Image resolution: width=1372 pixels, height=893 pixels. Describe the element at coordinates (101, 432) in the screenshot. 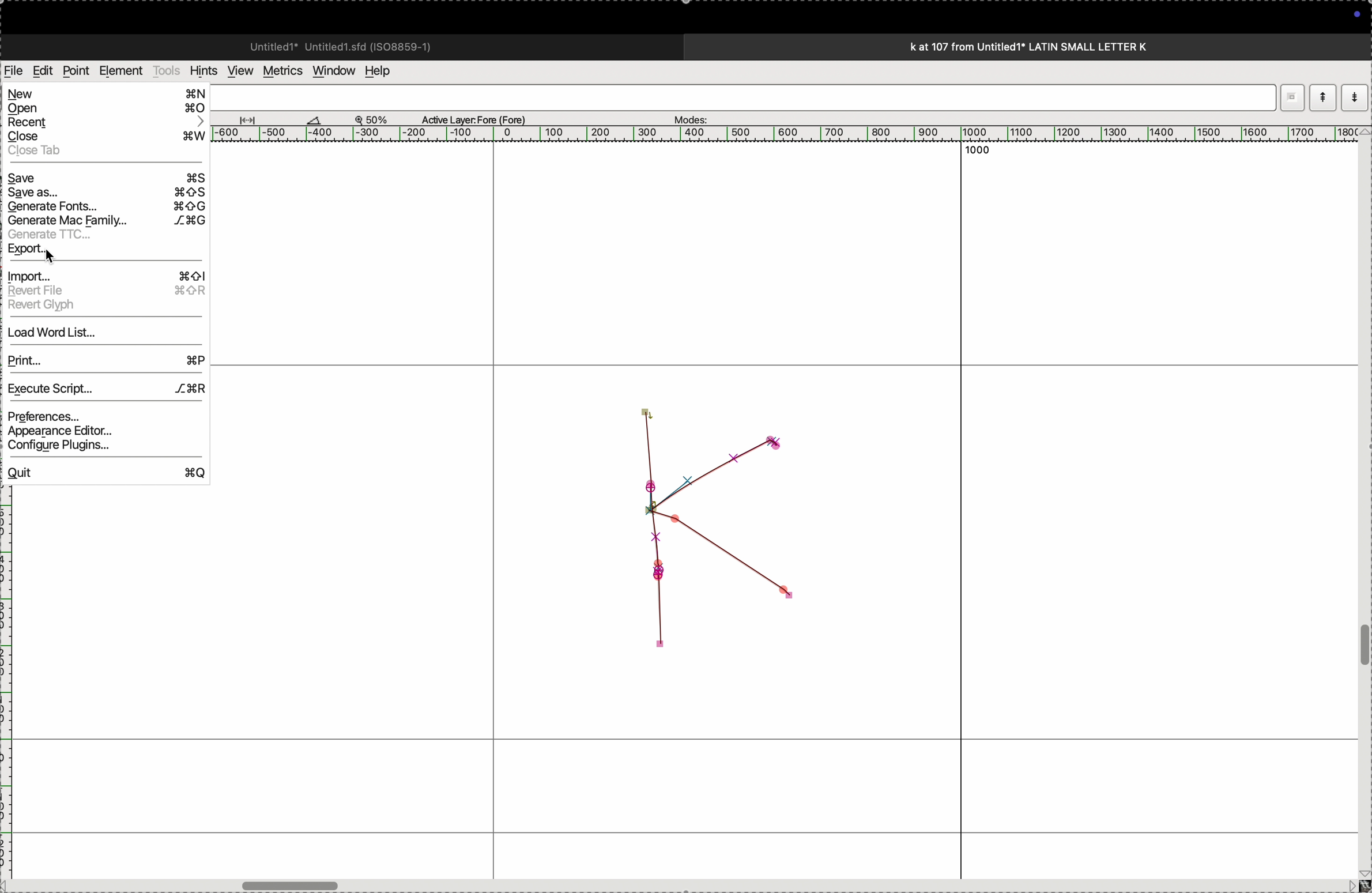

I see `apperance editor` at that location.